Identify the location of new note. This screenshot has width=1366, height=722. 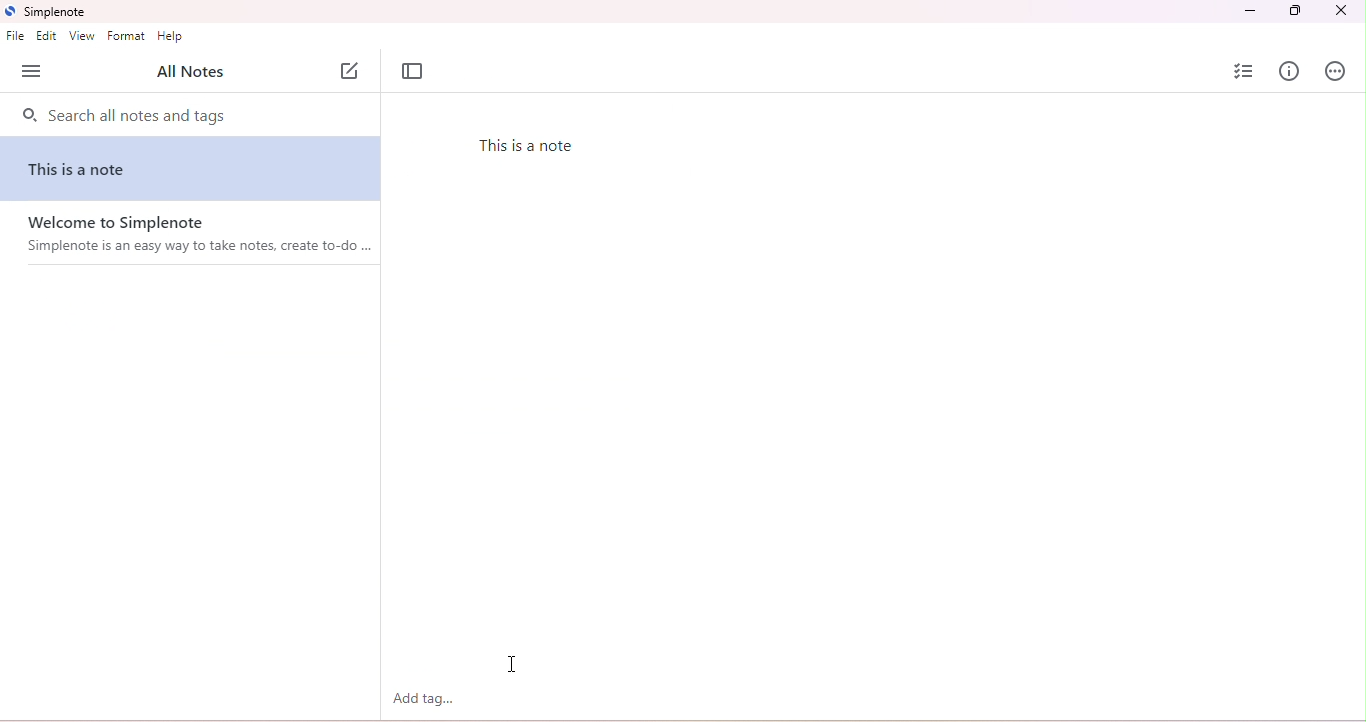
(353, 71).